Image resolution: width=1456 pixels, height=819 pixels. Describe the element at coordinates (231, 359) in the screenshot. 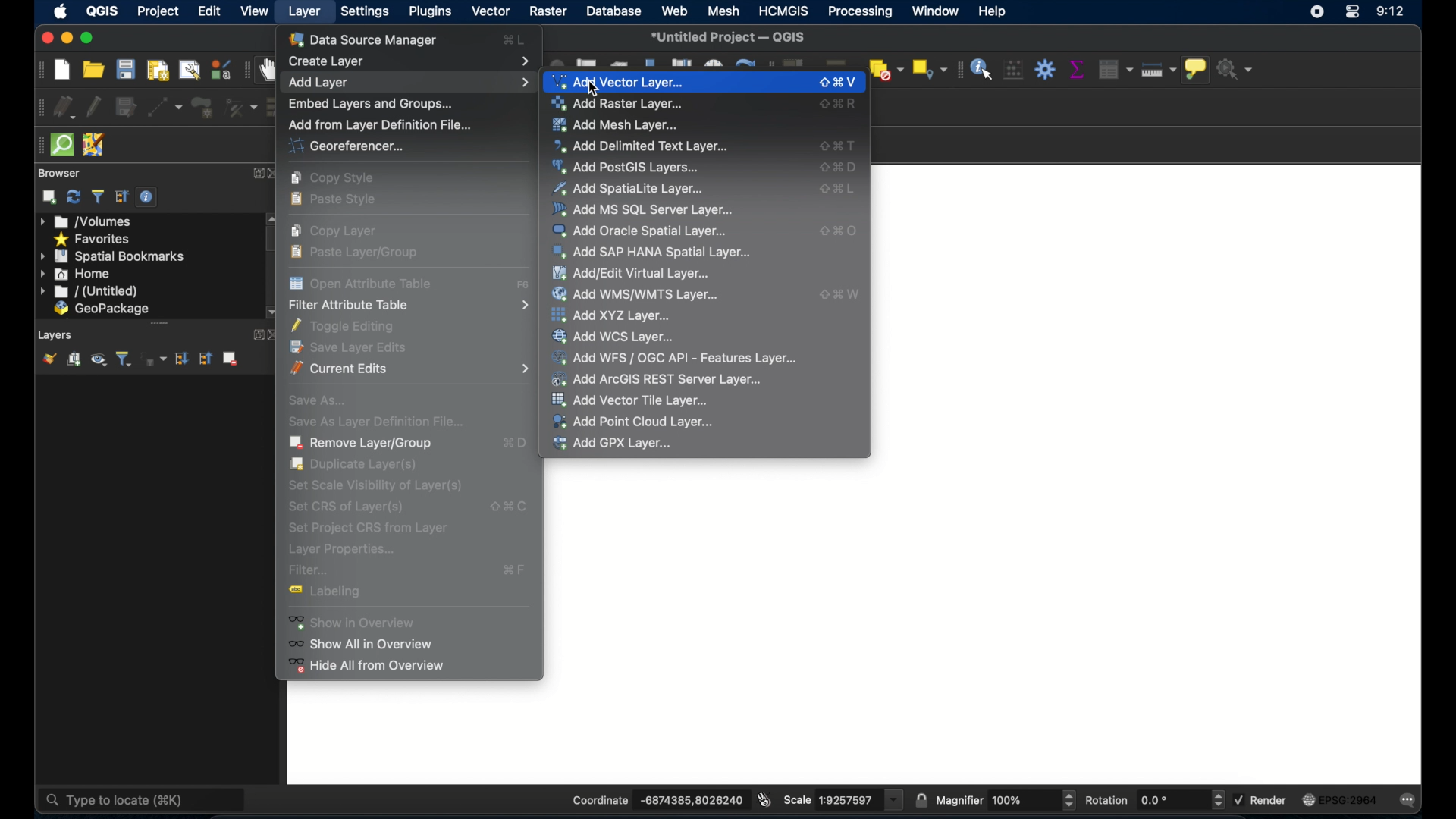

I see `remove layer/group` at that location.